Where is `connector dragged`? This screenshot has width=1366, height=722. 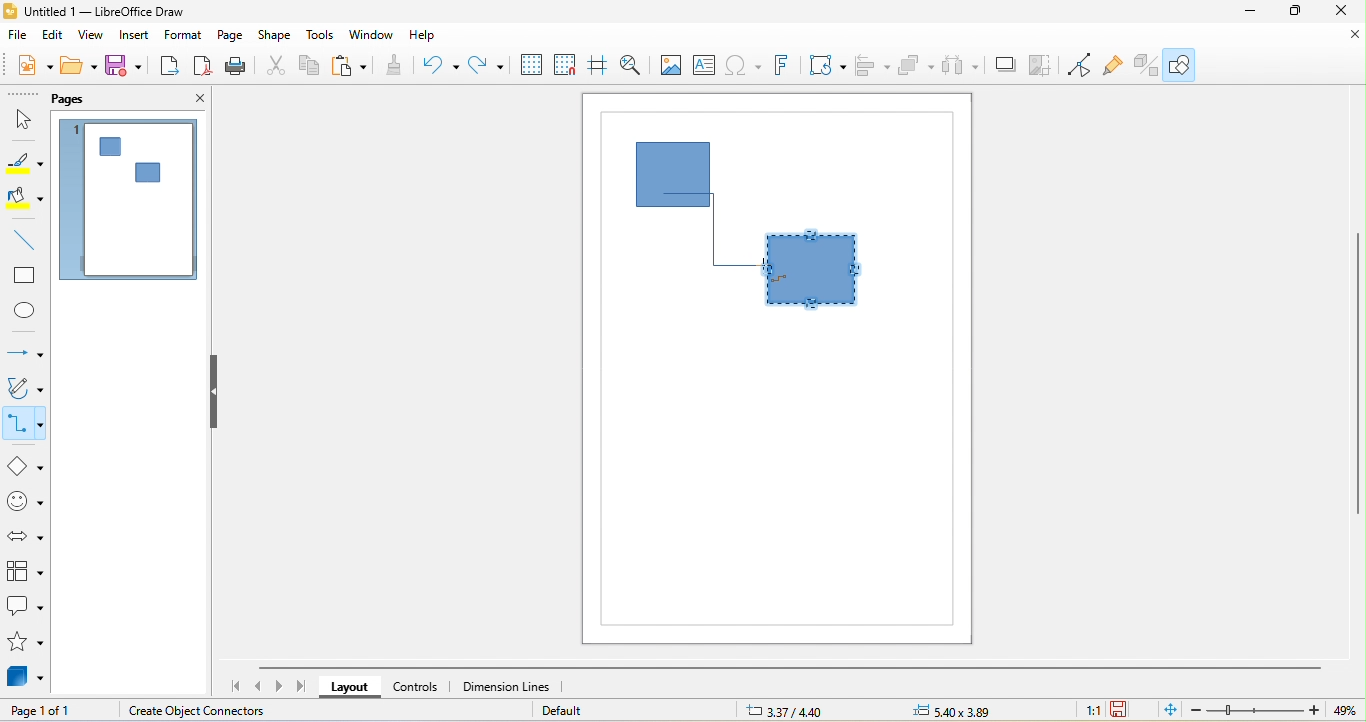
connector dragged is located at coordinates (718, 230).